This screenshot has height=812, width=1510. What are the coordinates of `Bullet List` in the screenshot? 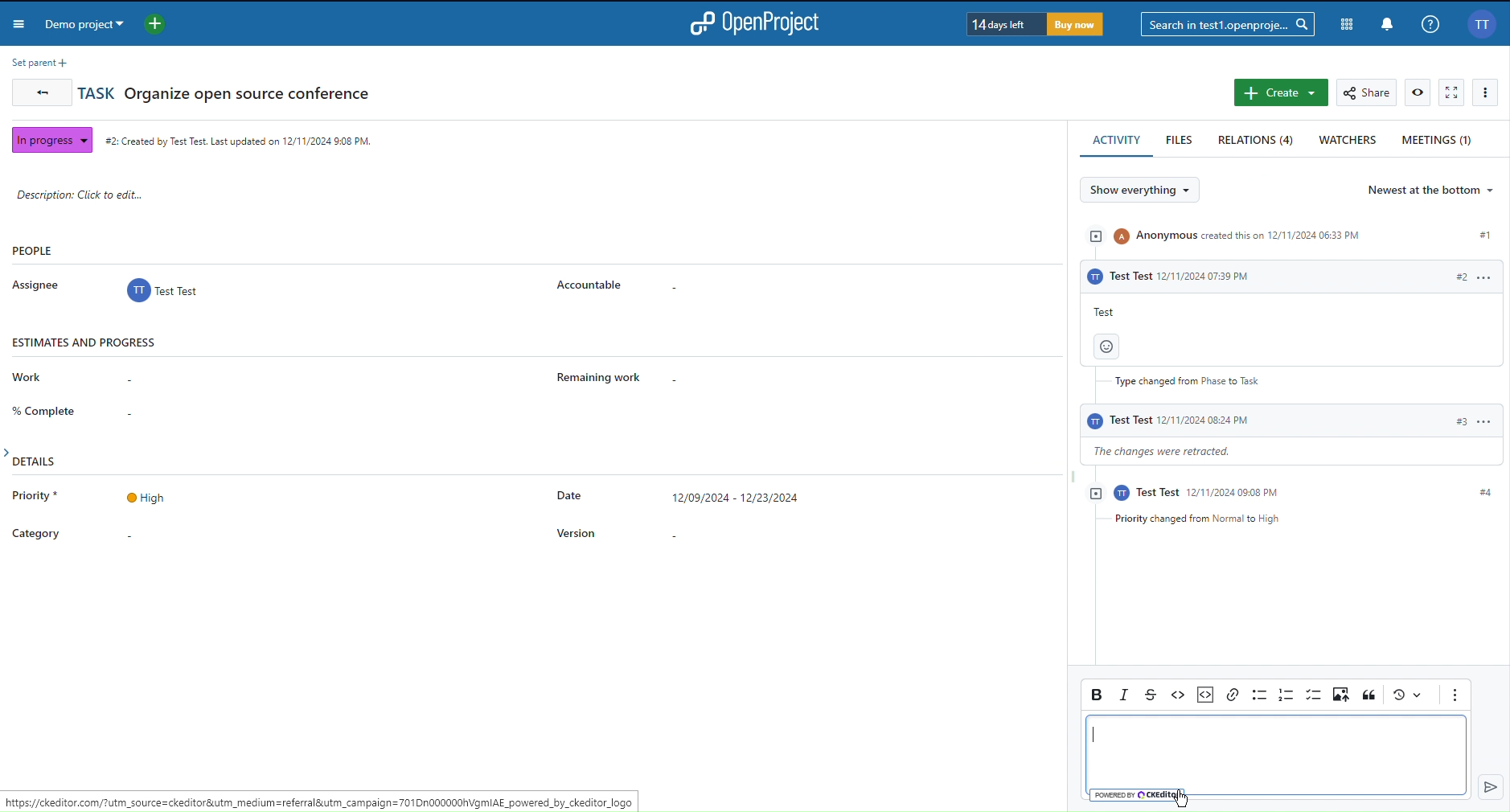 It's located at (1258, 695).